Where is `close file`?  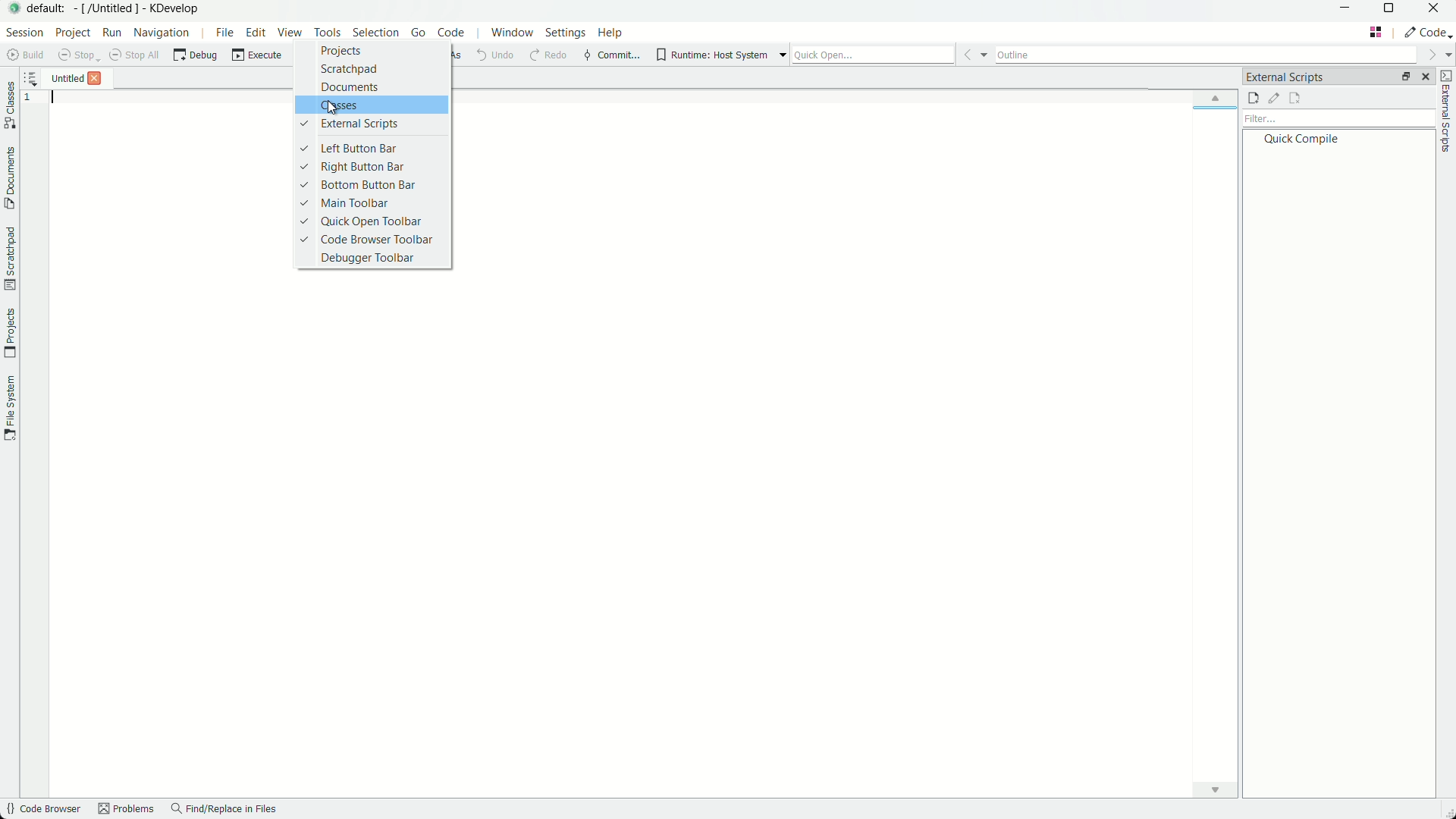 close file is located at coordinates (97, 78).